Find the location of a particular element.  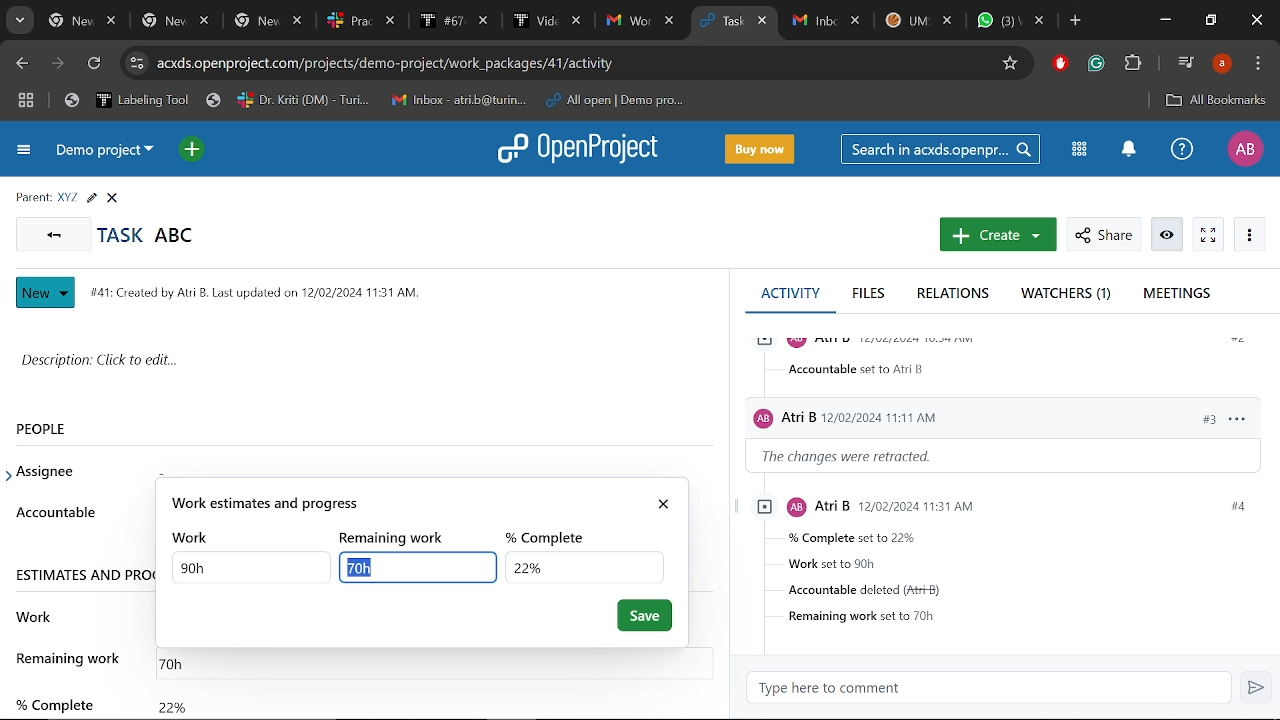

Next page is located at coordinates (61, 65).